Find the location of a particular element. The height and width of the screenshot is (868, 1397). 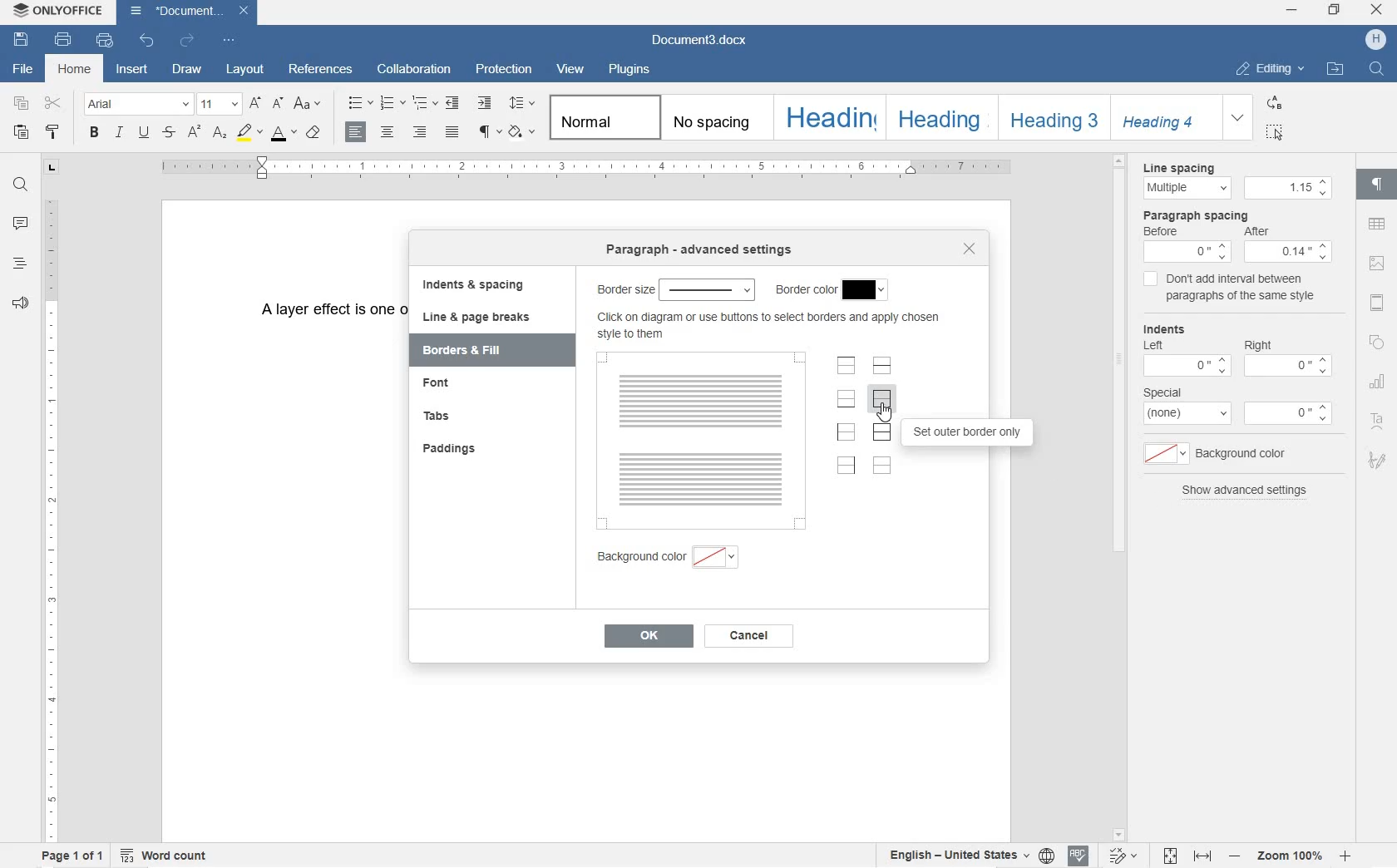

HP is located at coordinates (1373, 41).